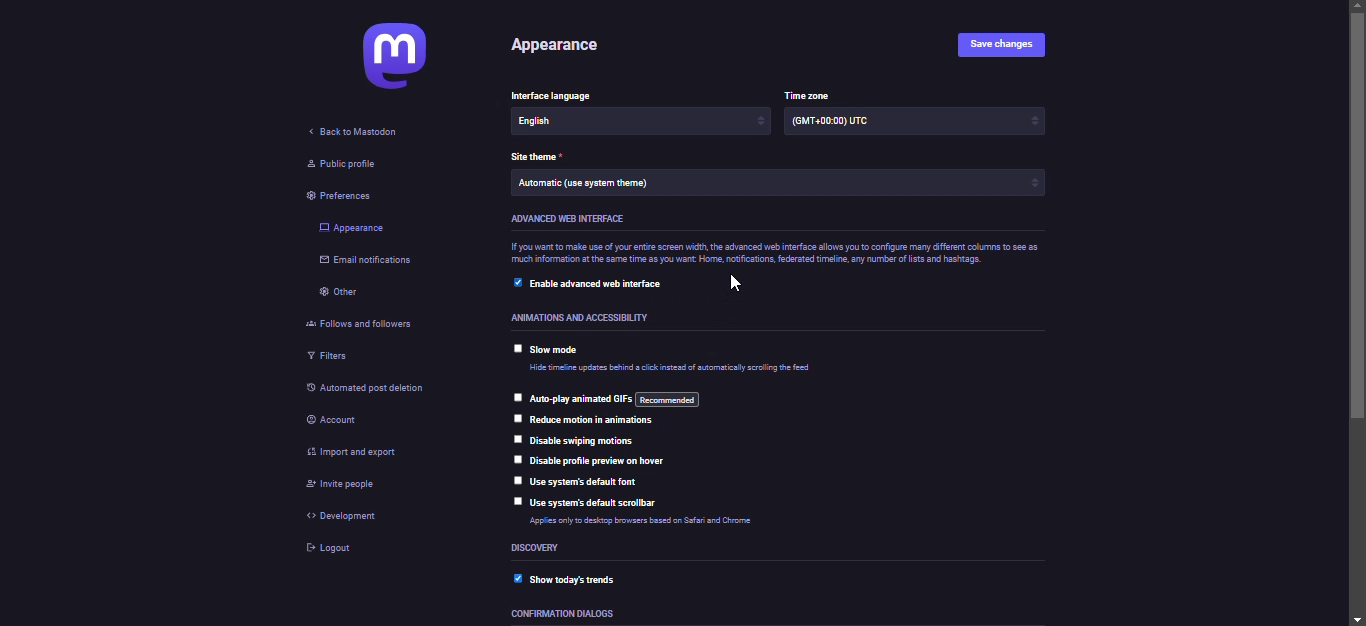 The height and width of the screenshot is (626, 1366). Describe the element at coordinates (514, 479) in the screenshot. I see `click to select` at that location.